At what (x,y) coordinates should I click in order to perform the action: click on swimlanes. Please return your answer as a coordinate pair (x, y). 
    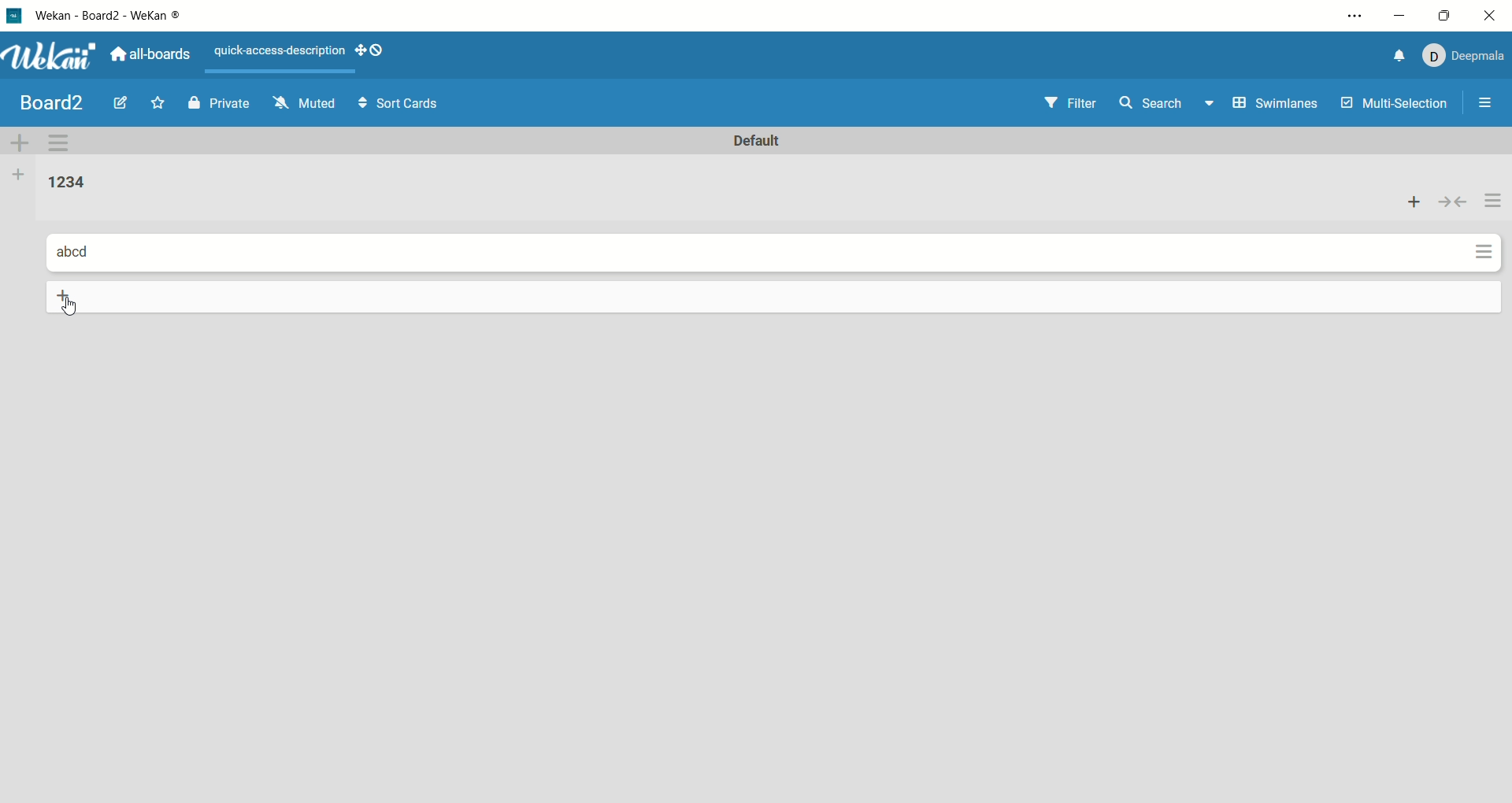
    Looking at the image, I should click on (1275, 99).